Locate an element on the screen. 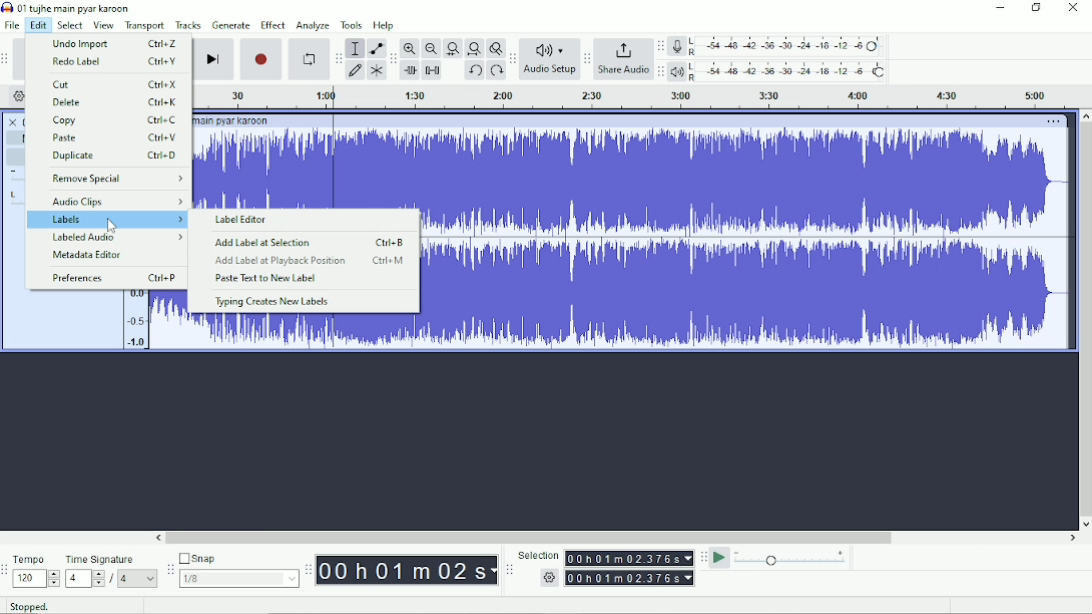  Record is located at coordinates (262, 59).